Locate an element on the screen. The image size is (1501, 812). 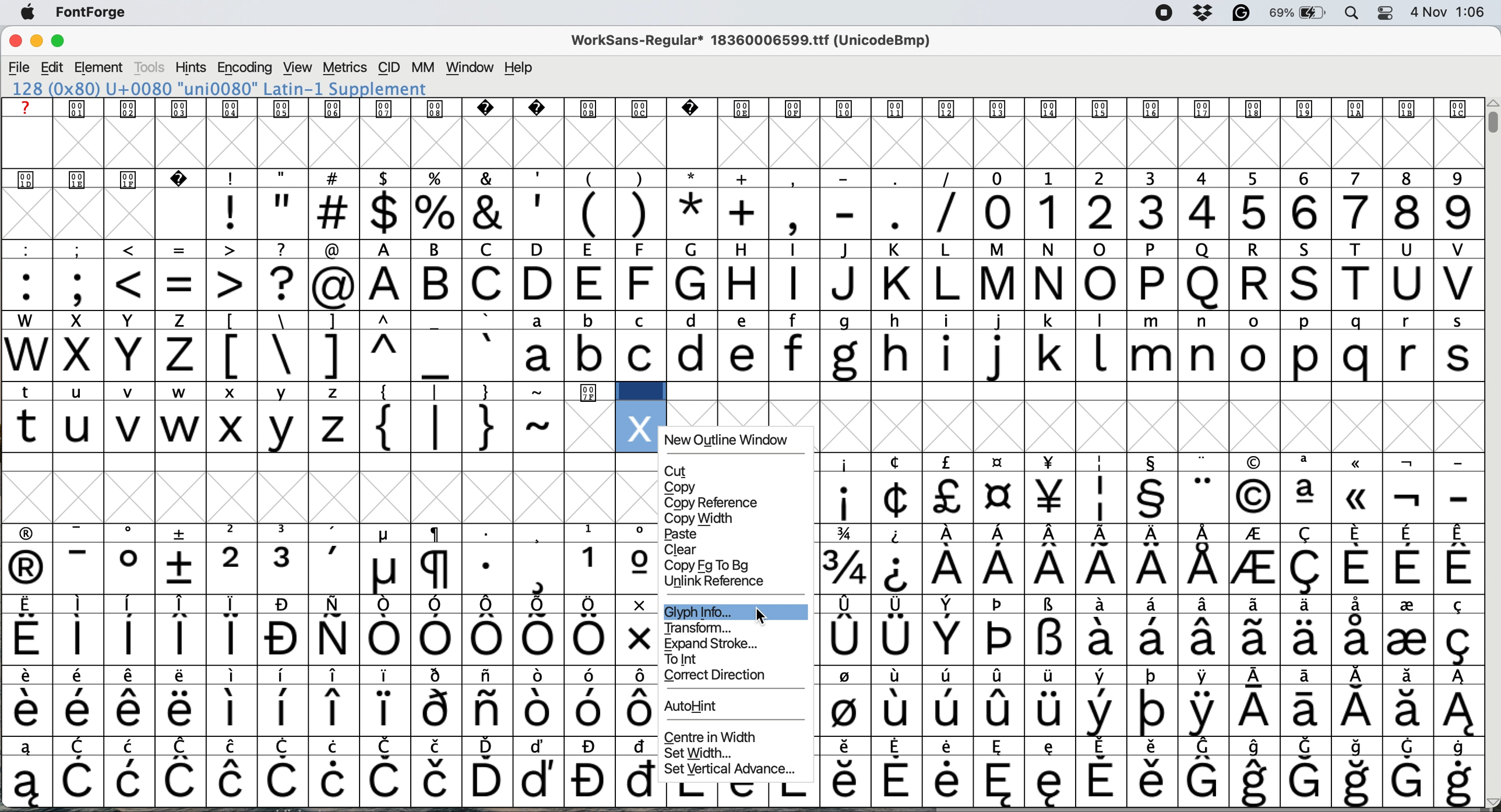
capital letters w to z is located at coordinates (100, 357).